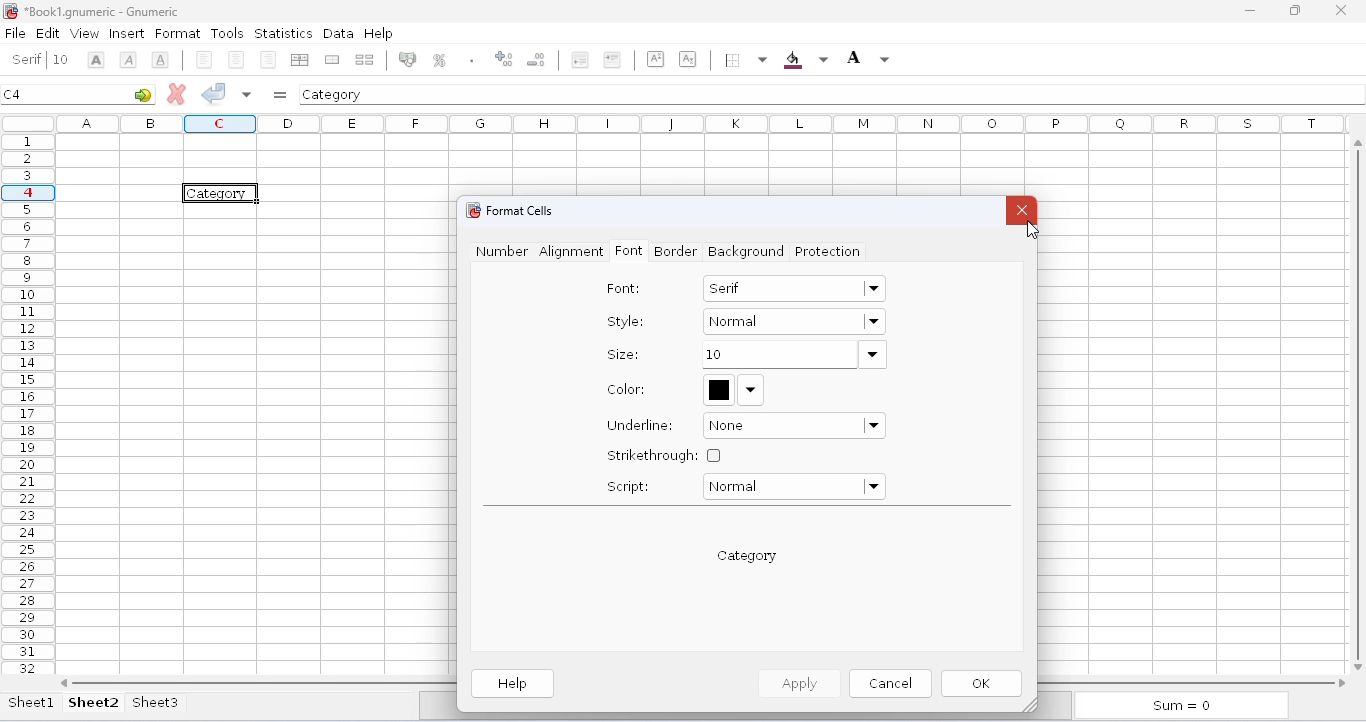 This screenshot has width=1366, height=722. Describe the element at coordinates (890, 682) in the screenshot. I see `cancel` at that location.